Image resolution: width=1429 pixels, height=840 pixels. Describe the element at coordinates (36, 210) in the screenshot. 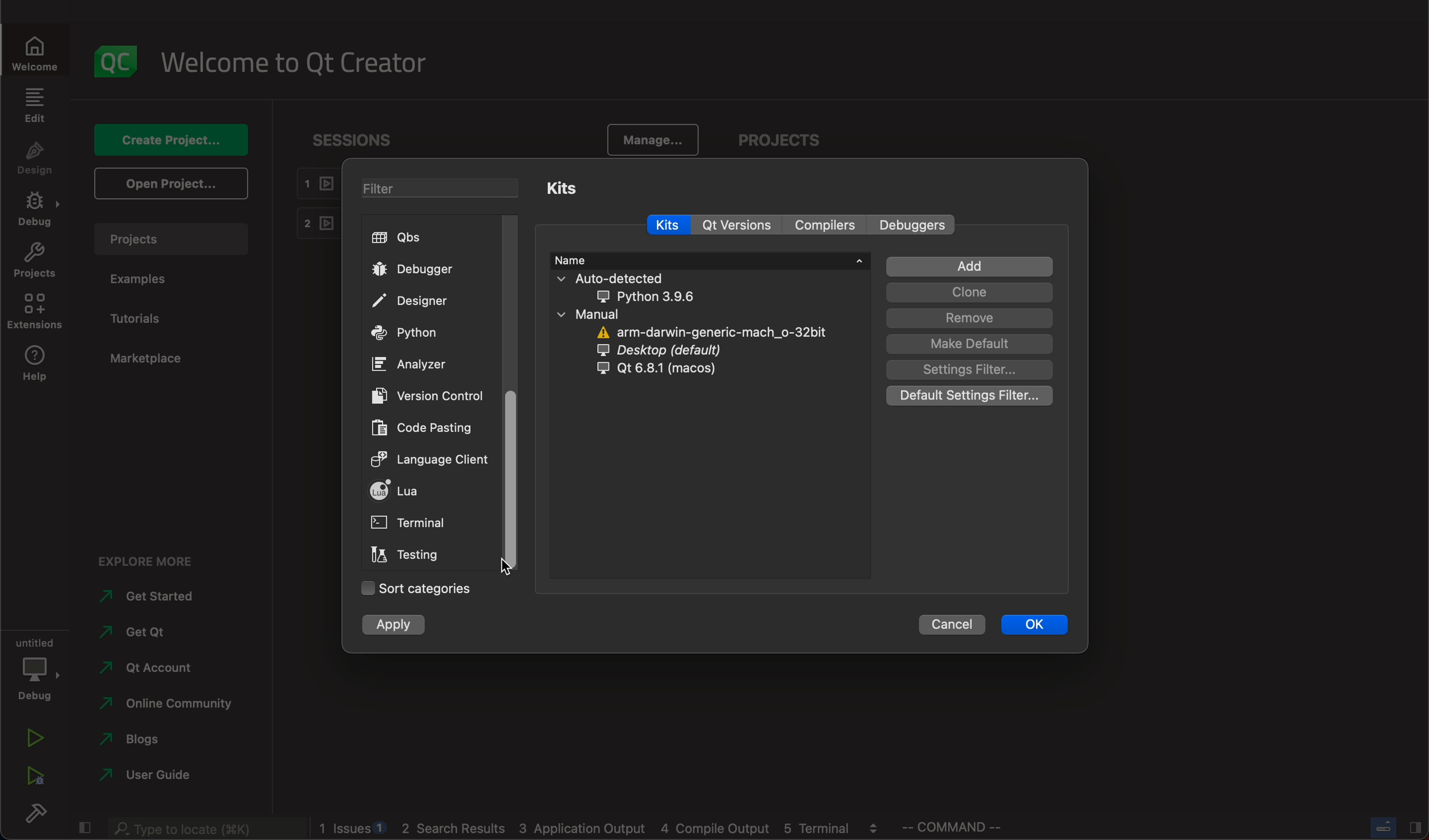

I see `debug` at that location.